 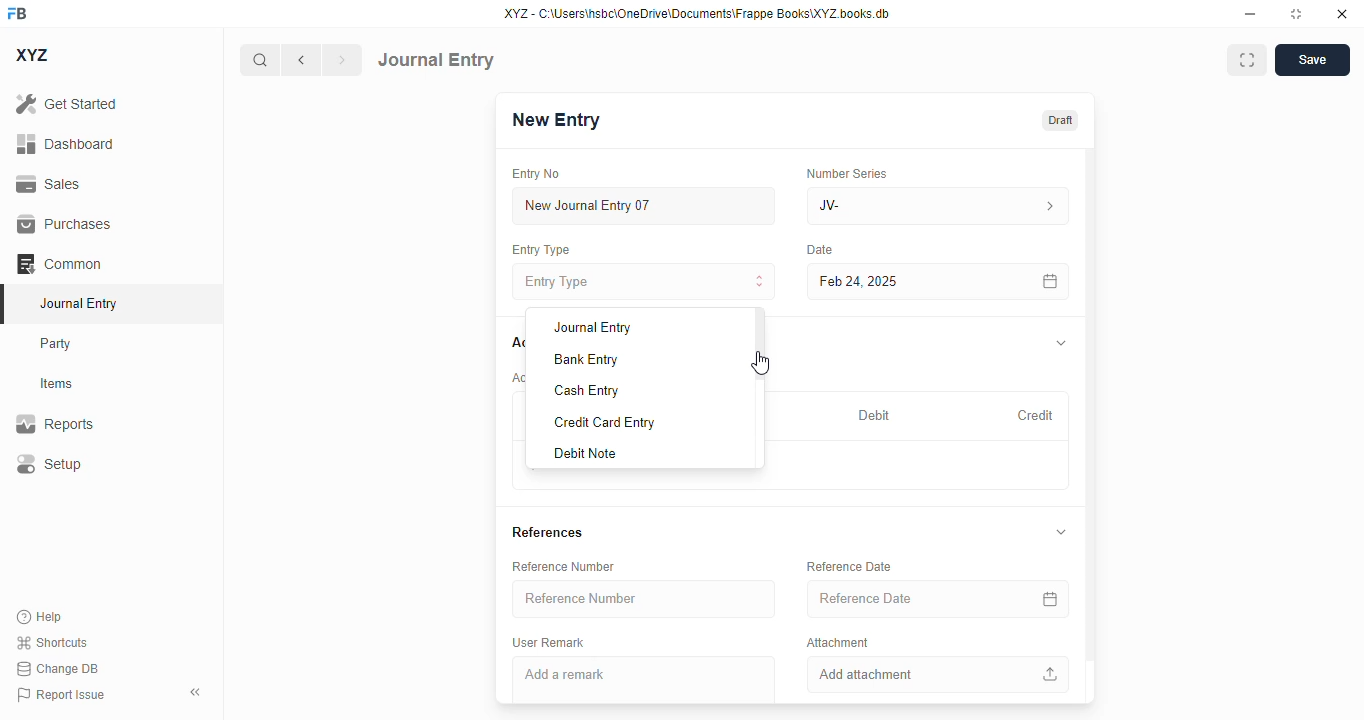 What do you see at coordinates (40, 617) in the screenshot?
I see `help` at bounding box center [40, 617].